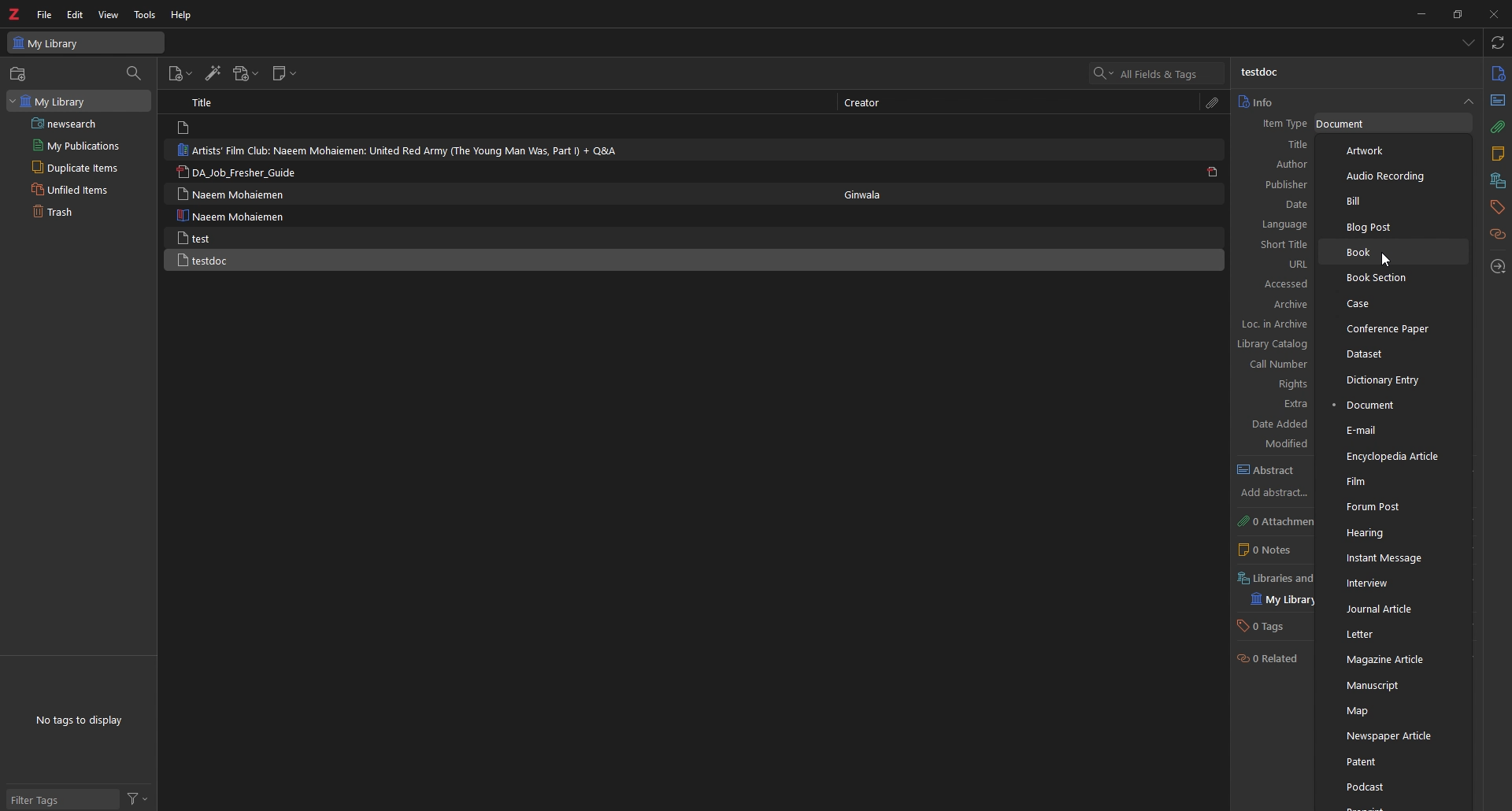  I want to click on new note, so click(284, 73).